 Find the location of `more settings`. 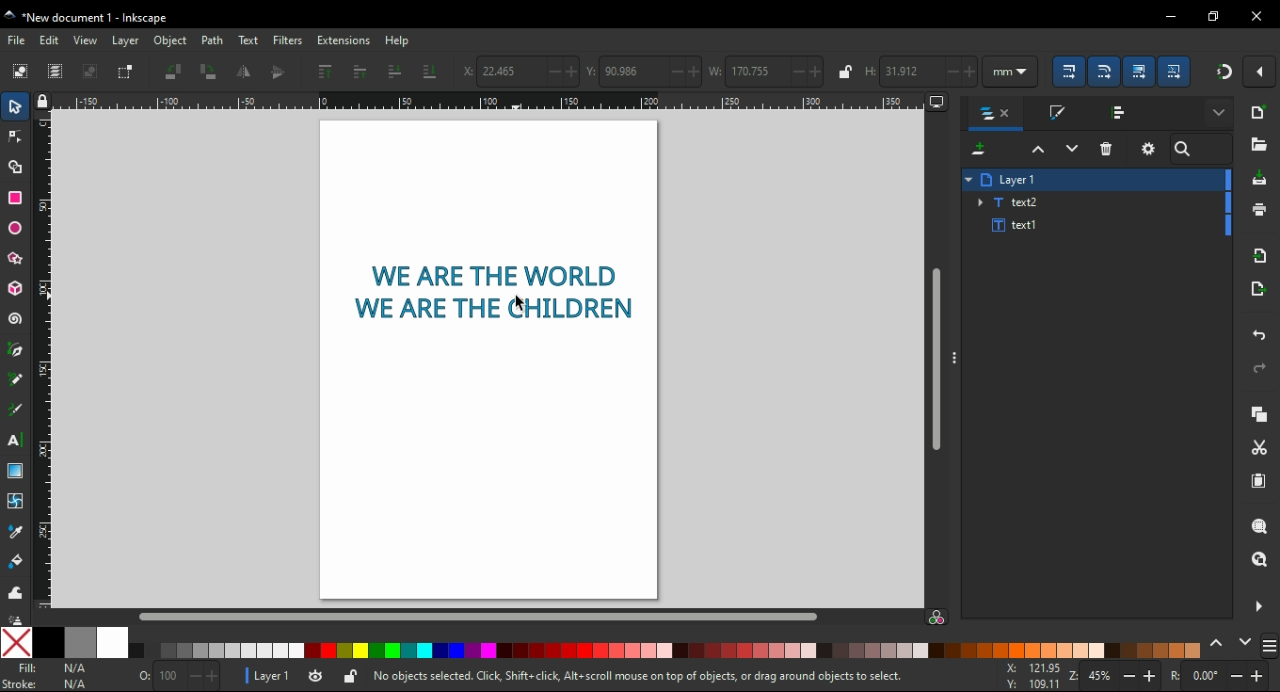

more settings is located at coordinates (1218, 113).